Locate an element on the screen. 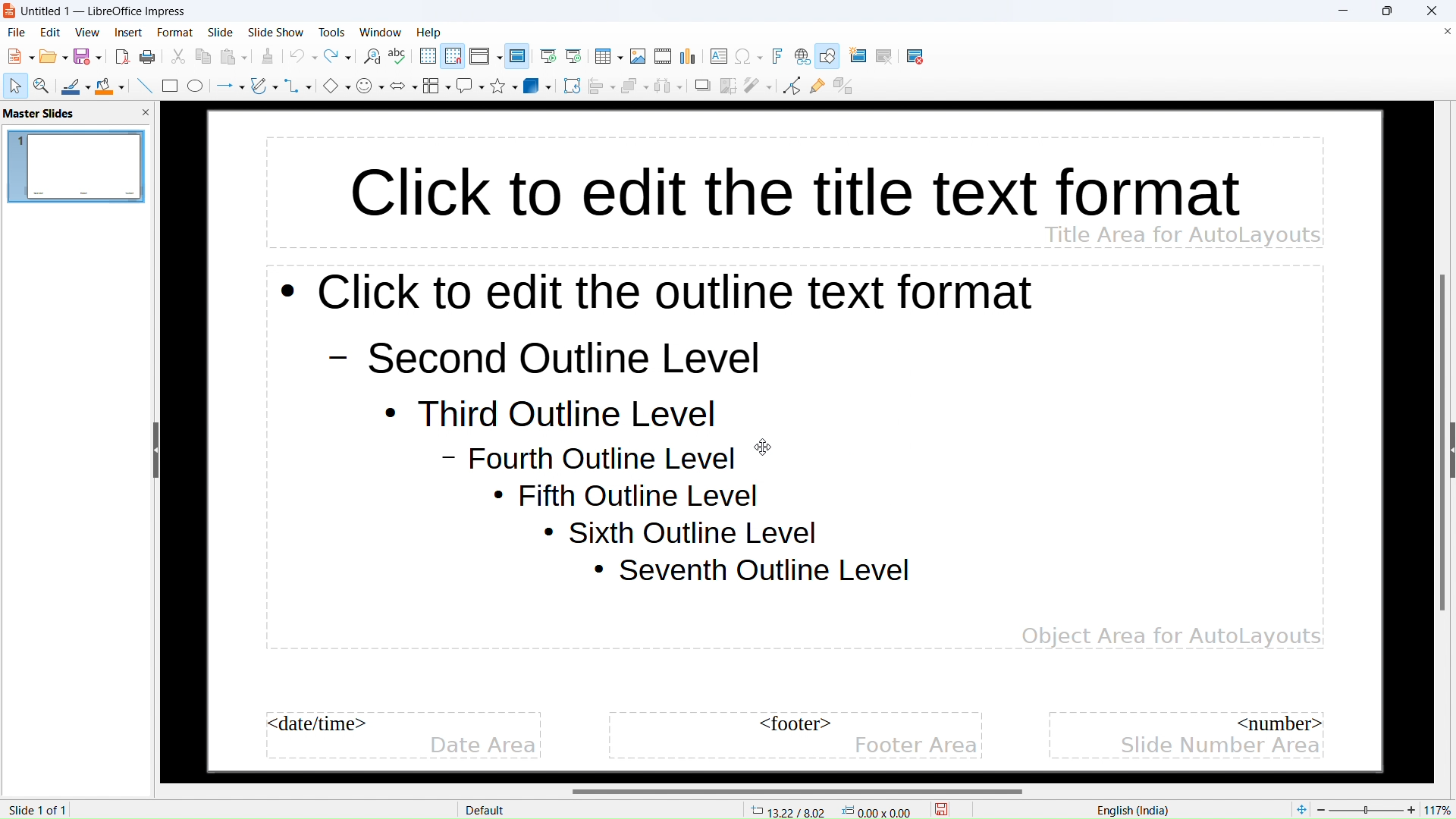 This screenshot has height=819, width=1456. Seventh outline level is located at coordinates (752, 573).